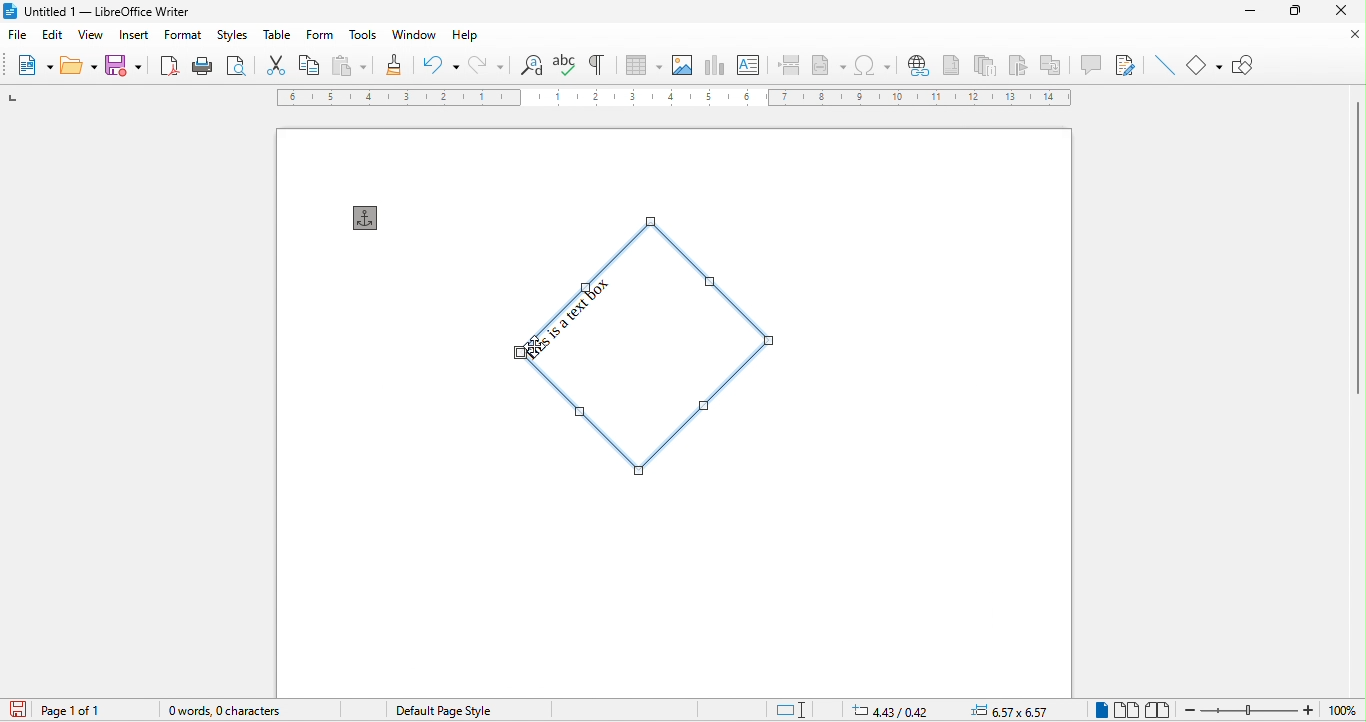 The image size is (1366, 722). I want to click on libreoffice logo, so click(10, 11).